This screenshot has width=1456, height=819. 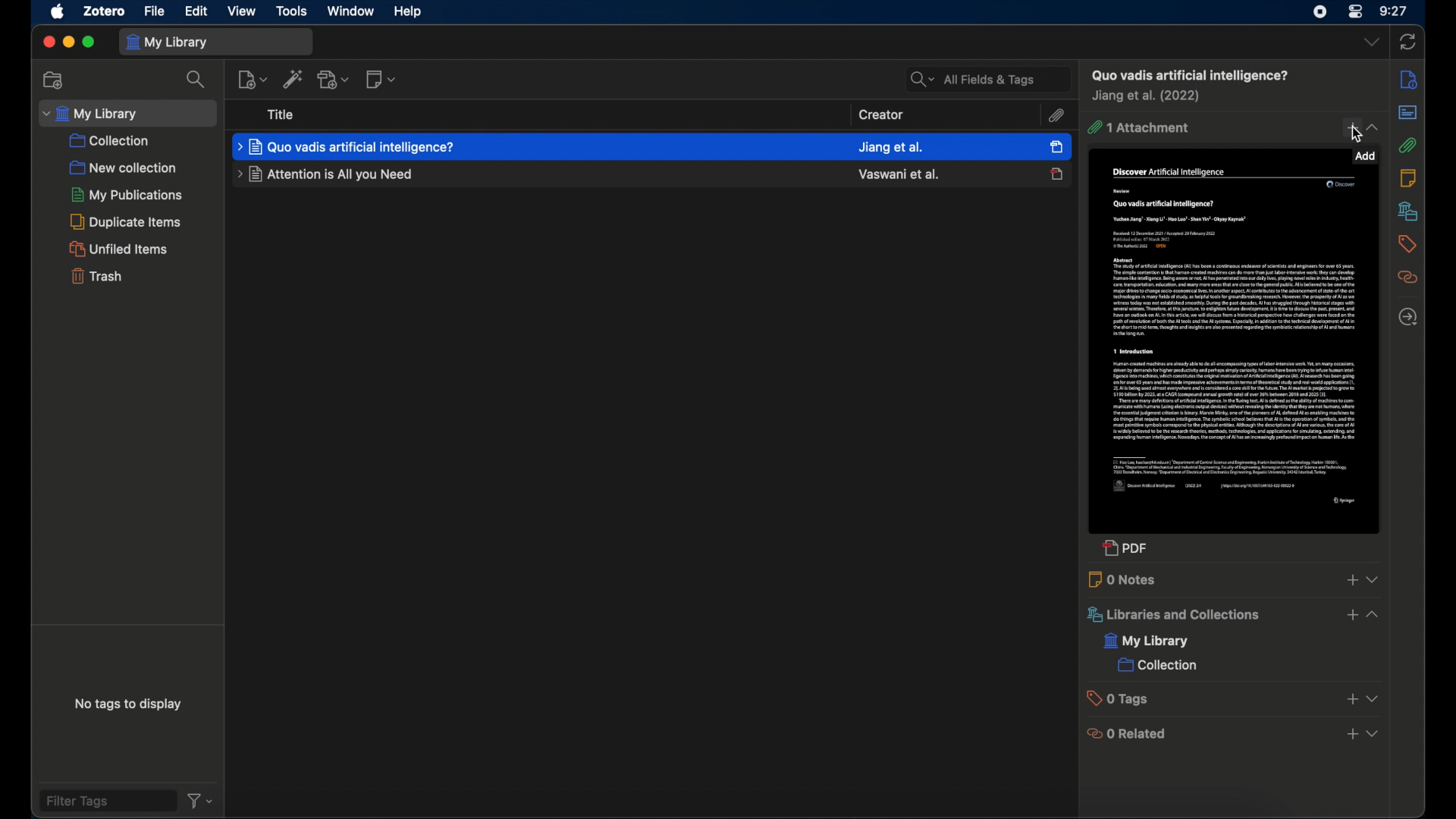 I want to click on selected icon, so click(x=1056, y=146).